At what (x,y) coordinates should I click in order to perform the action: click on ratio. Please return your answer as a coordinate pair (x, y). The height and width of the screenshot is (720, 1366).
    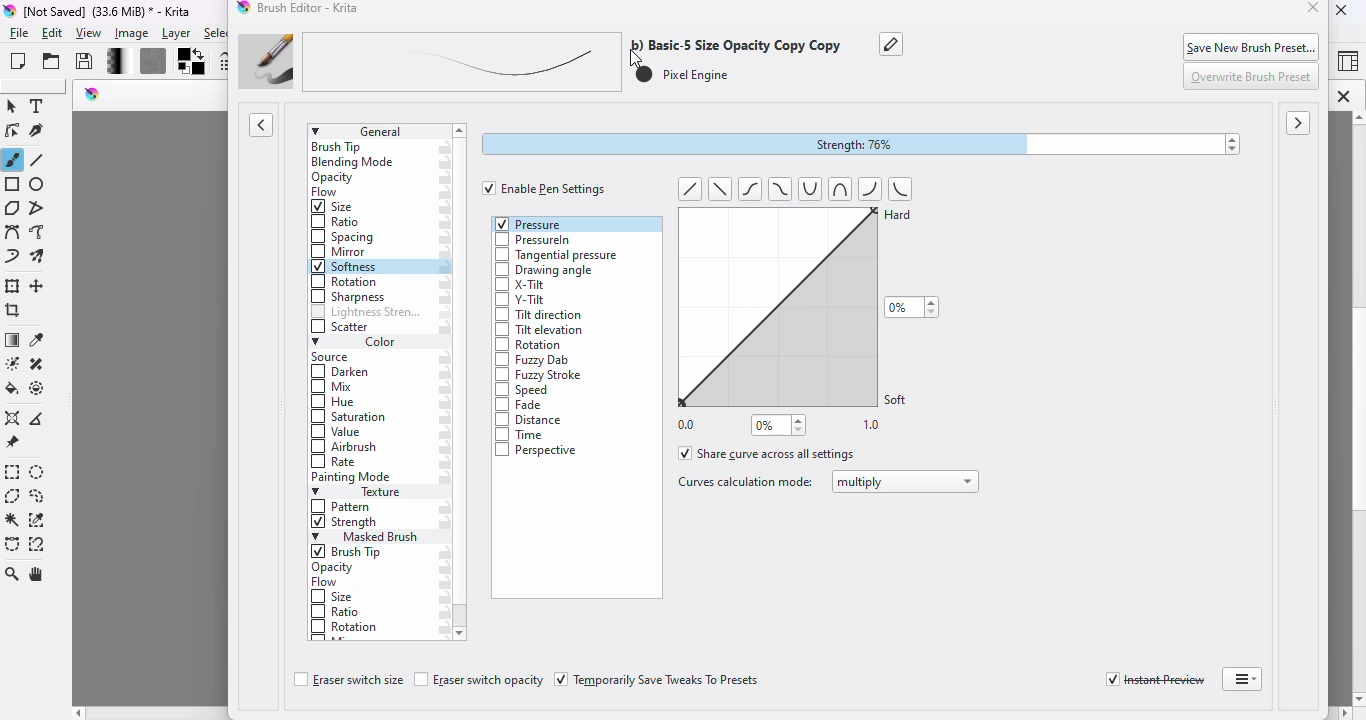
    Looking at the image, I should click on (336, 610).